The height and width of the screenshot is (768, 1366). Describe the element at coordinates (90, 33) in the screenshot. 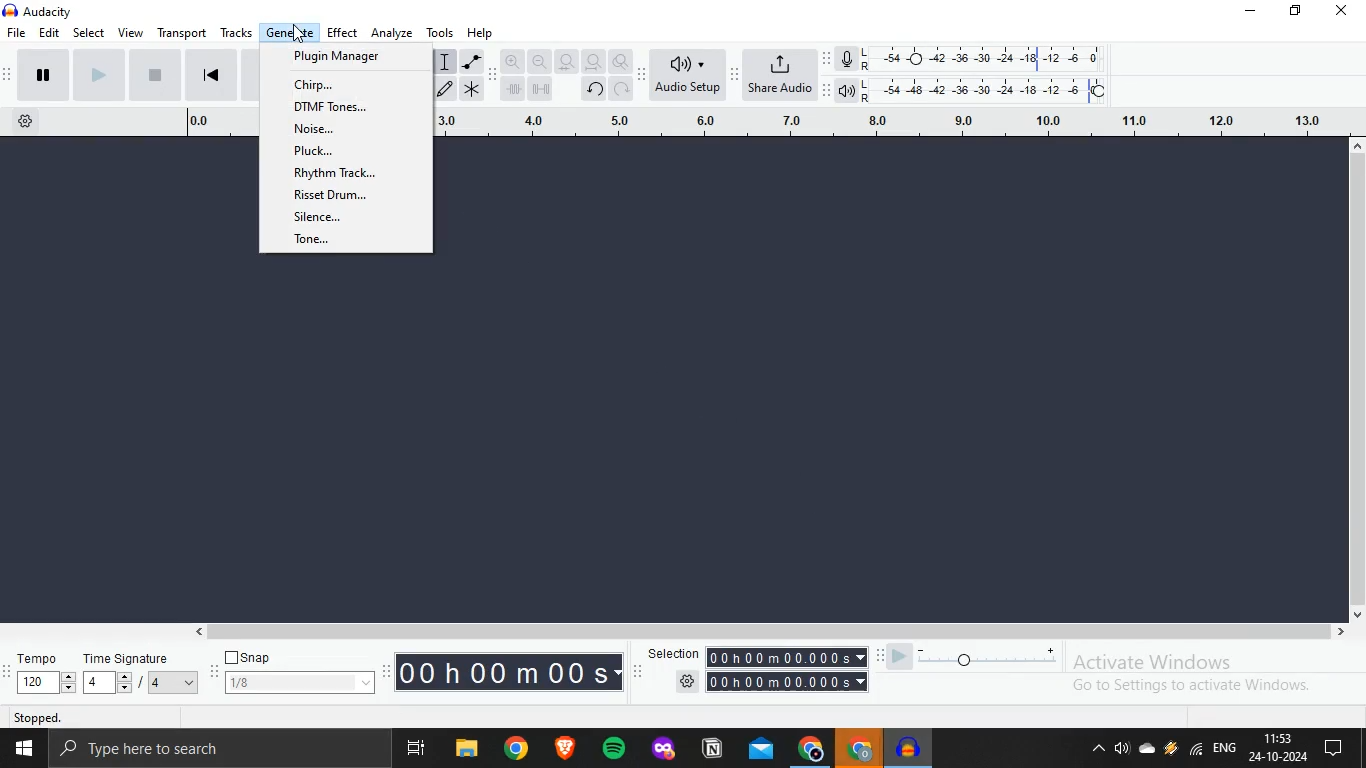

I see `Select` at that location.